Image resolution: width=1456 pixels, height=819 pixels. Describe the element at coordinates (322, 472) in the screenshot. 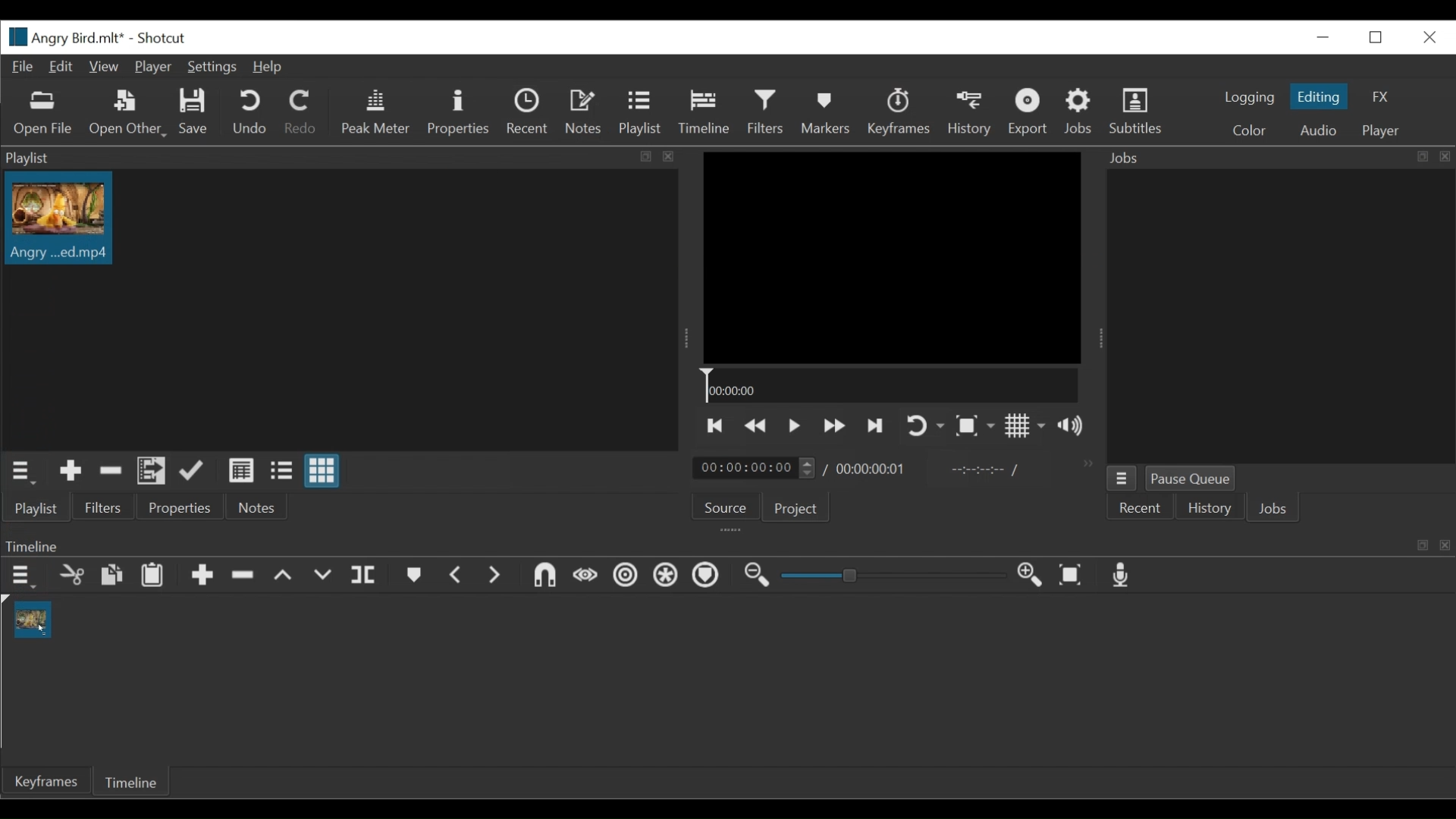

I see `View as icons` at that location.